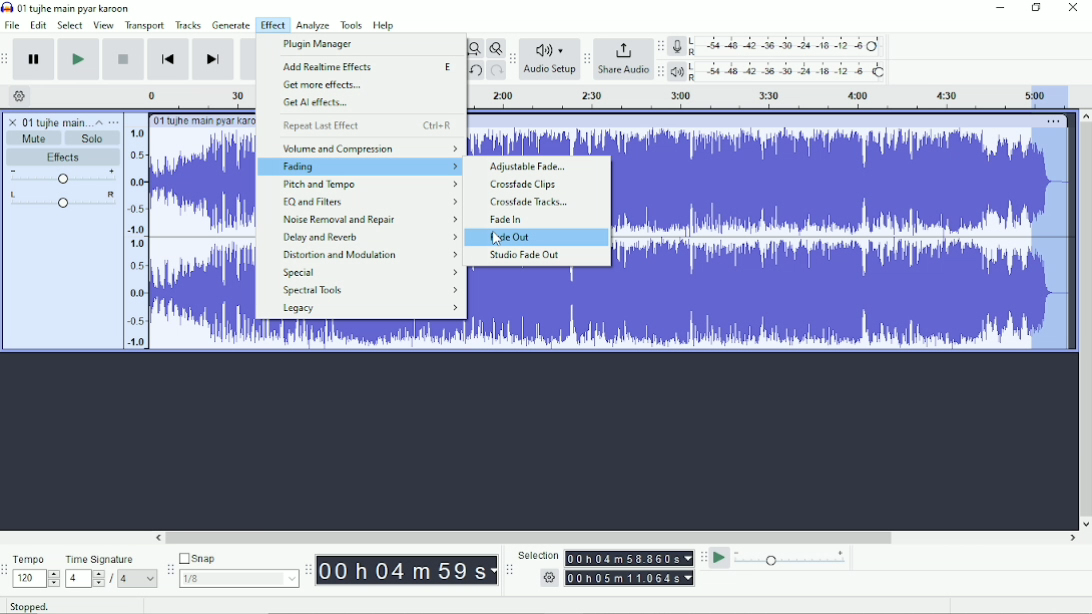 This screenshot has width=1092, height=614. Describe the element at coordinates (122, 59) in the screenshot. I see `Stop` at that location.